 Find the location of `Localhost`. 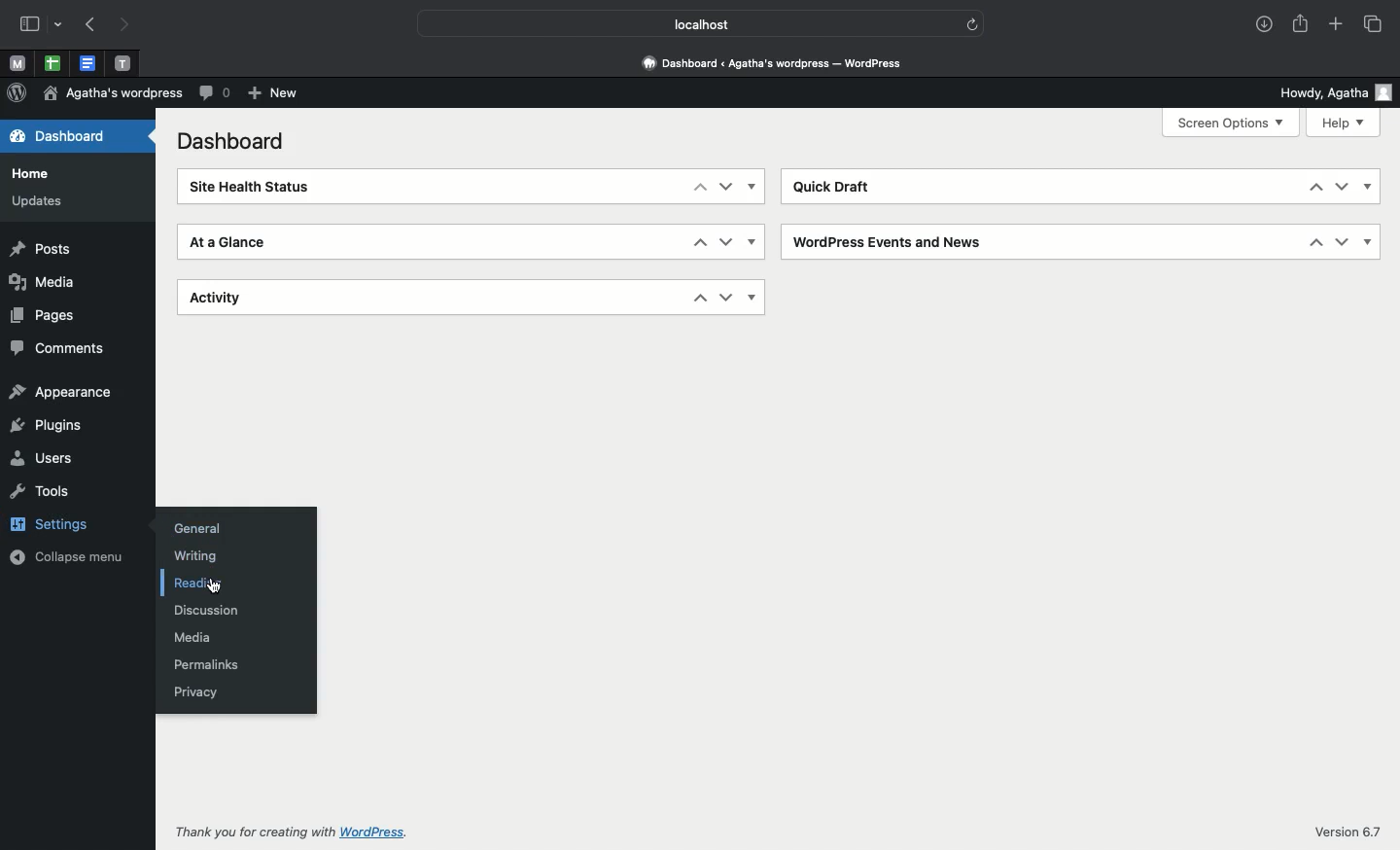

Localhost is located at coordinates (687, 24).